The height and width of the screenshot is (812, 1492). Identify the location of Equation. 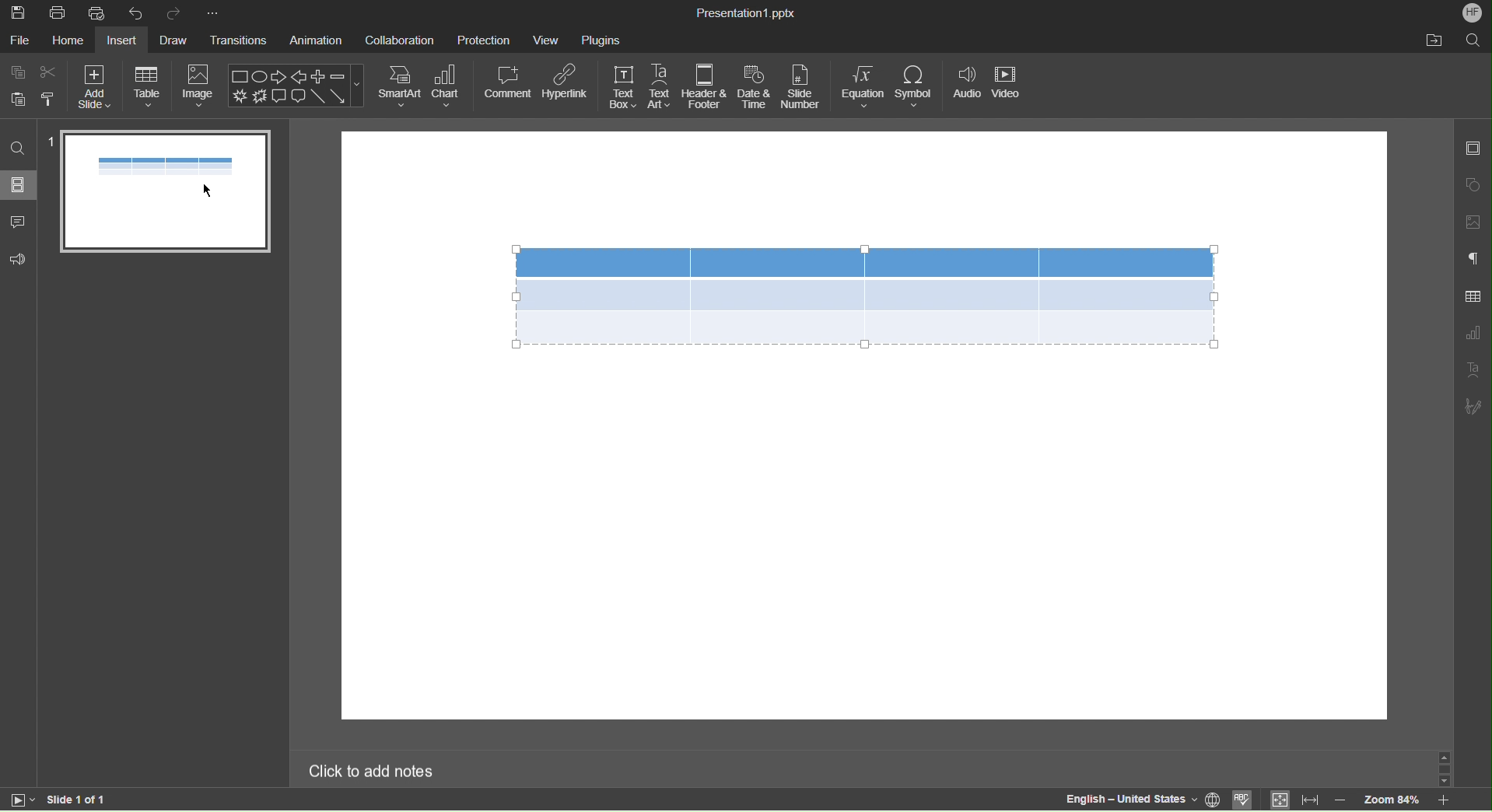
(863, 87).